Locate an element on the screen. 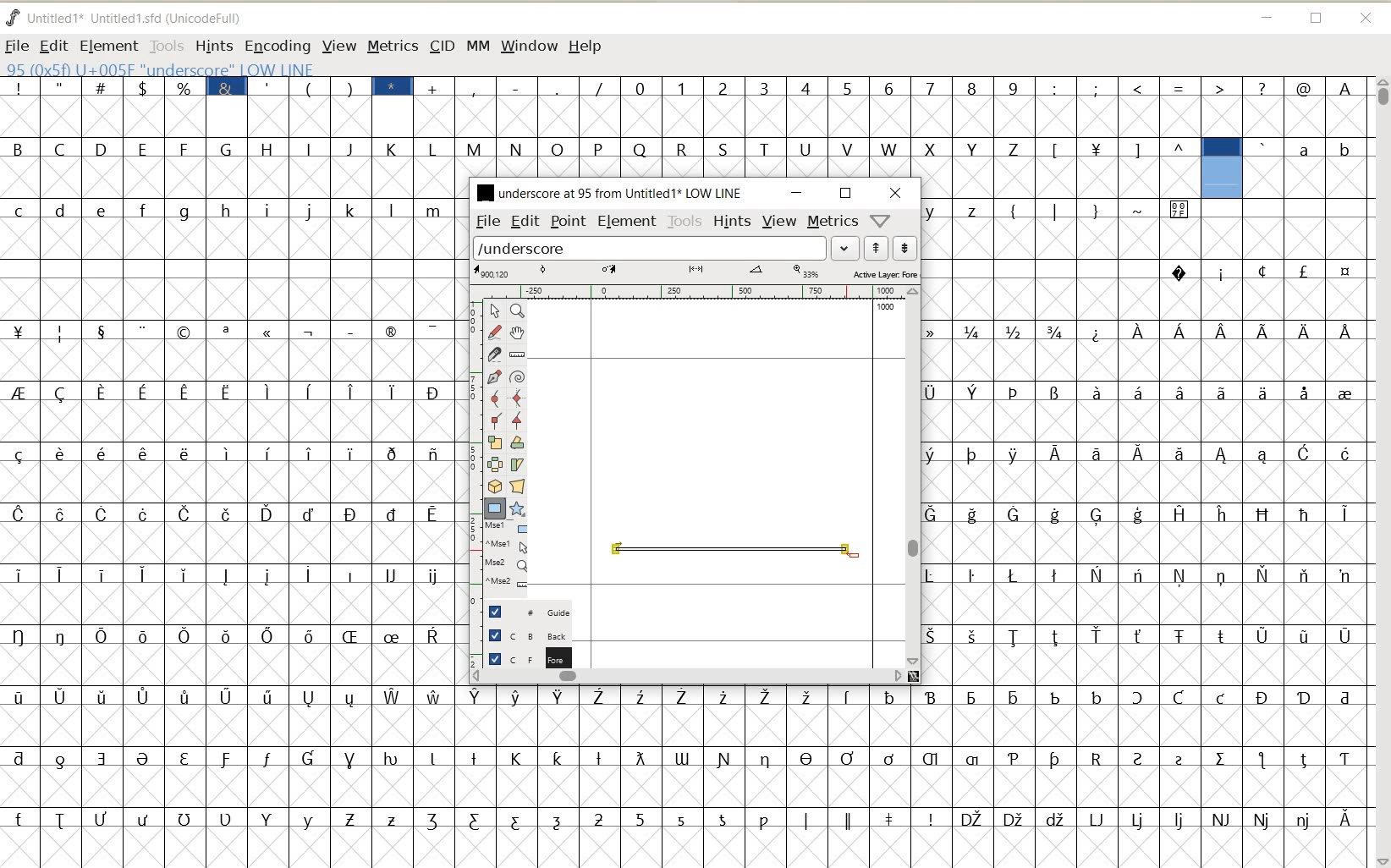 This screenshot has width=1391, height=868. perform a perspective transformation on the selection is located at coordinates (517, 486).